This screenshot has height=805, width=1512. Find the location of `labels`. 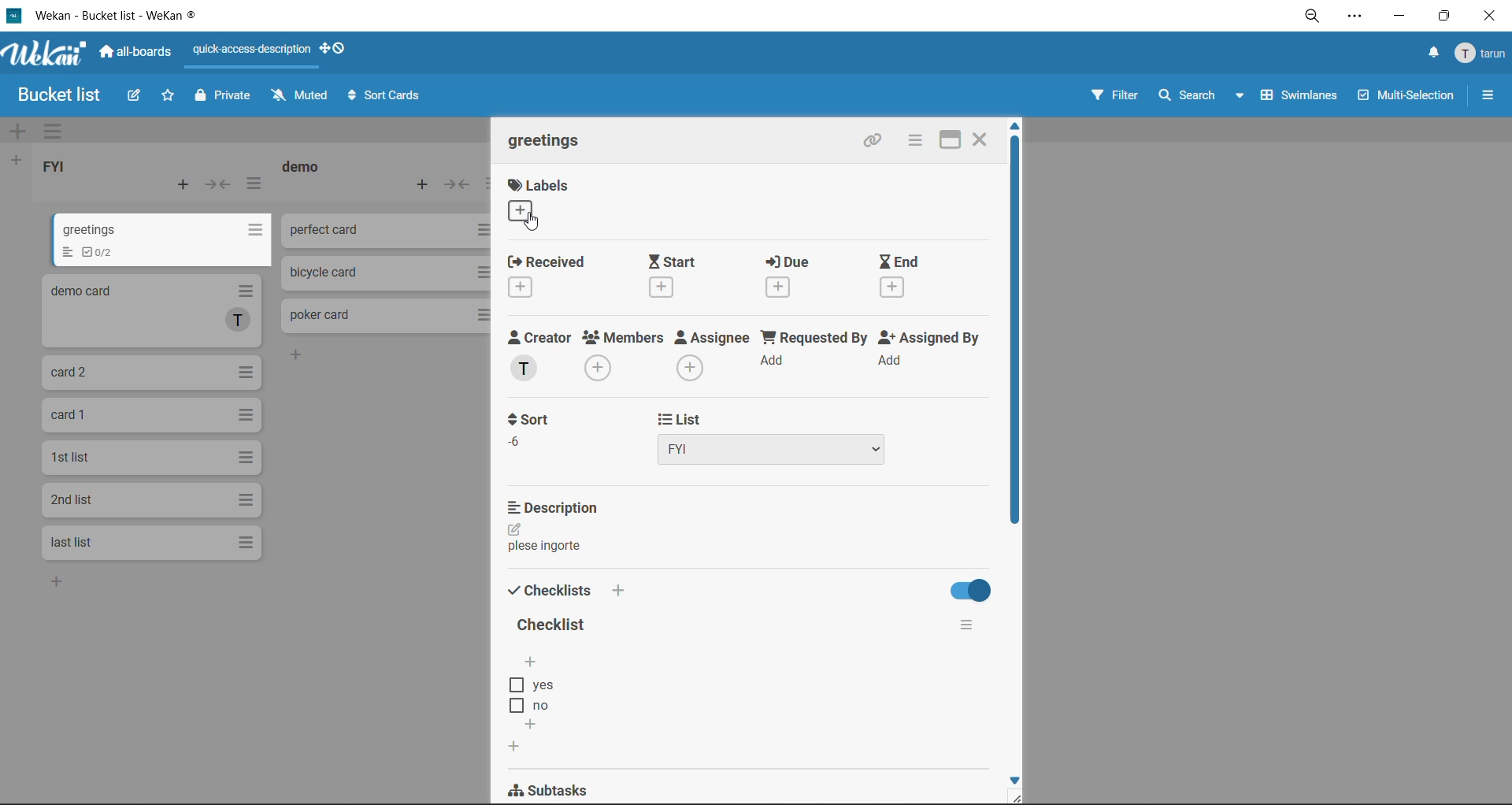

labels is located at coordinates (546, 201).